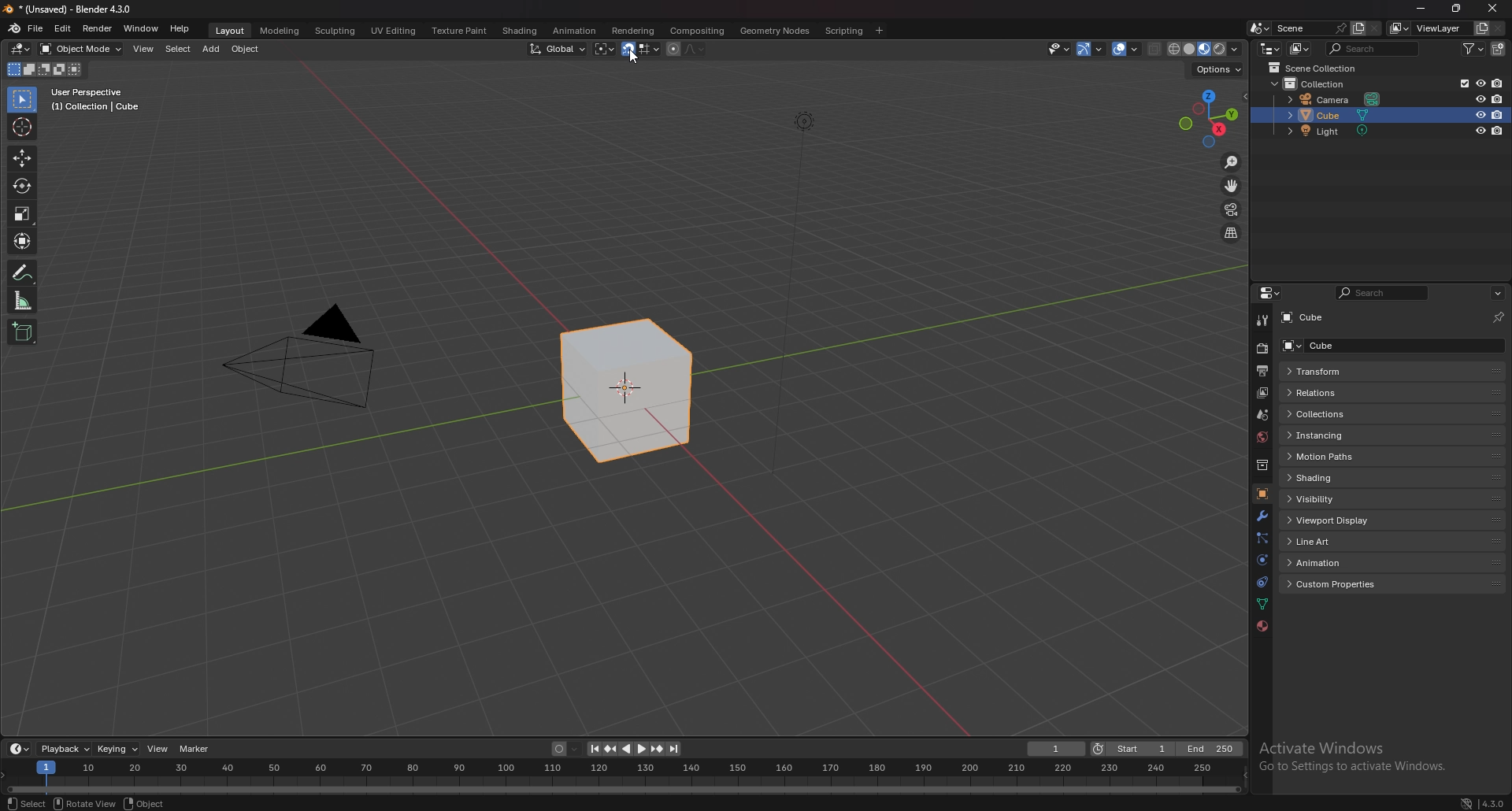 The image size is (1512, 811). Describe the element at coordinates (628, 49) in the screenshot. I see `snap` at that location.